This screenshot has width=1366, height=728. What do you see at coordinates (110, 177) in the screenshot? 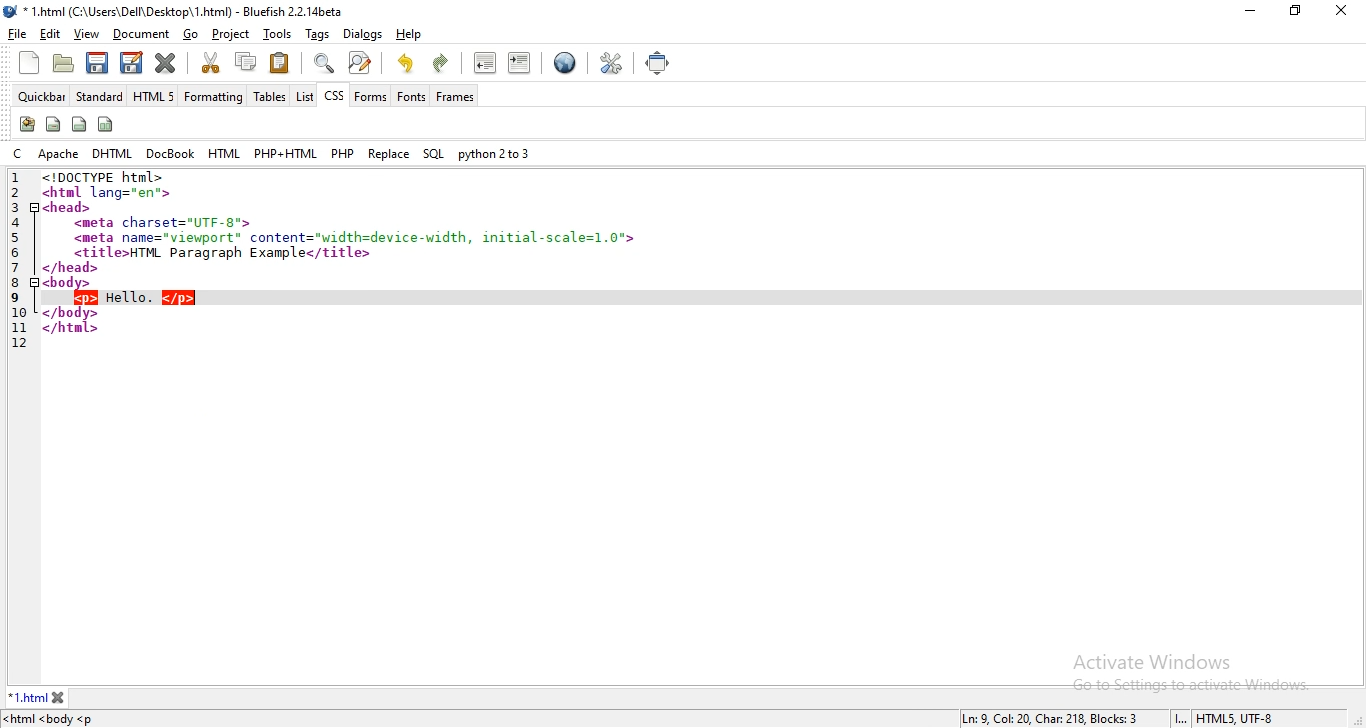
I see `<!DOCTYPE html>` at bounding box center [110, 177].